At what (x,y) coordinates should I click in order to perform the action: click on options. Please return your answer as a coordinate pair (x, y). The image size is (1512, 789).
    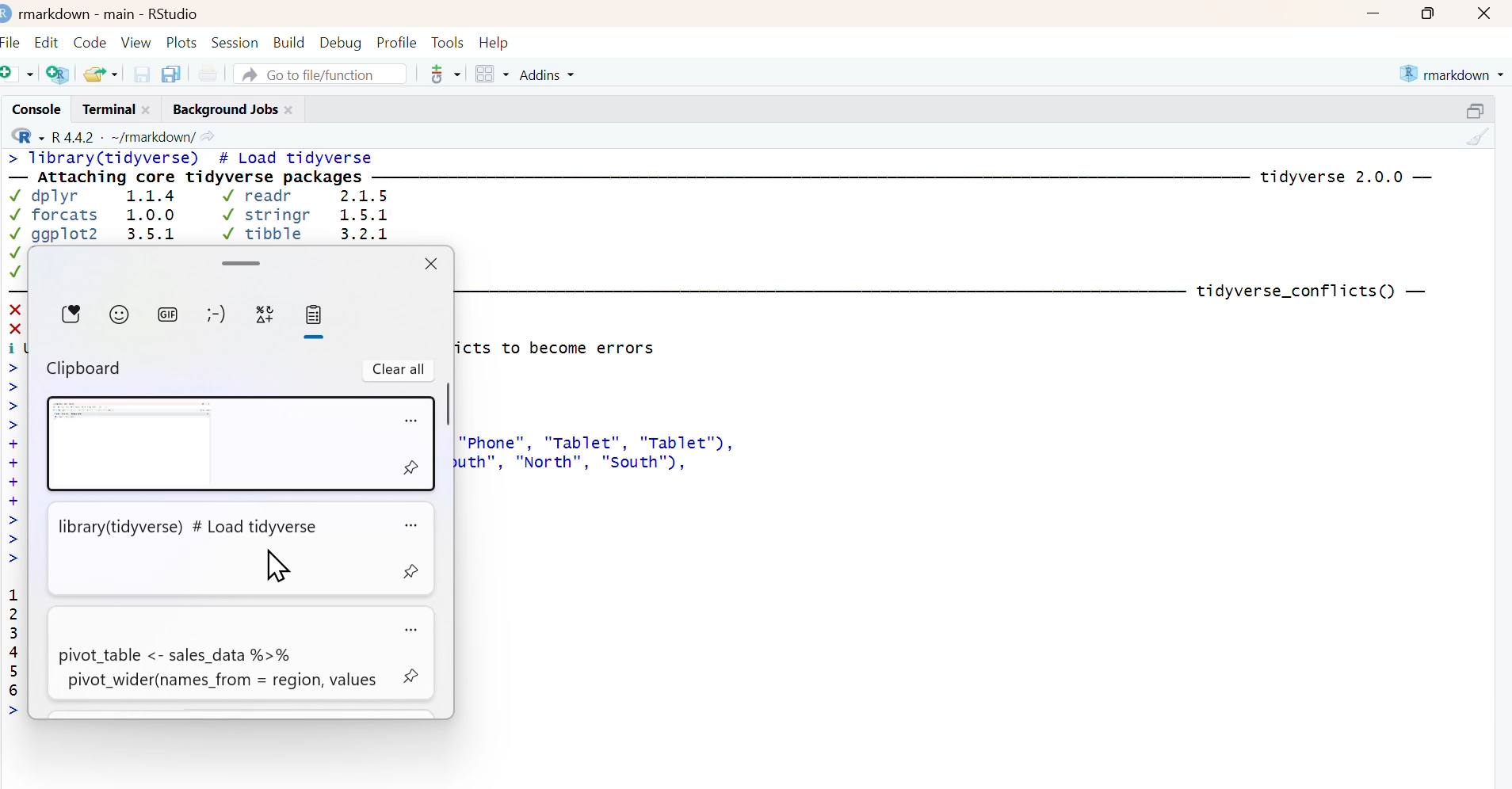
    Looking at the image, I should click on (410, 524).